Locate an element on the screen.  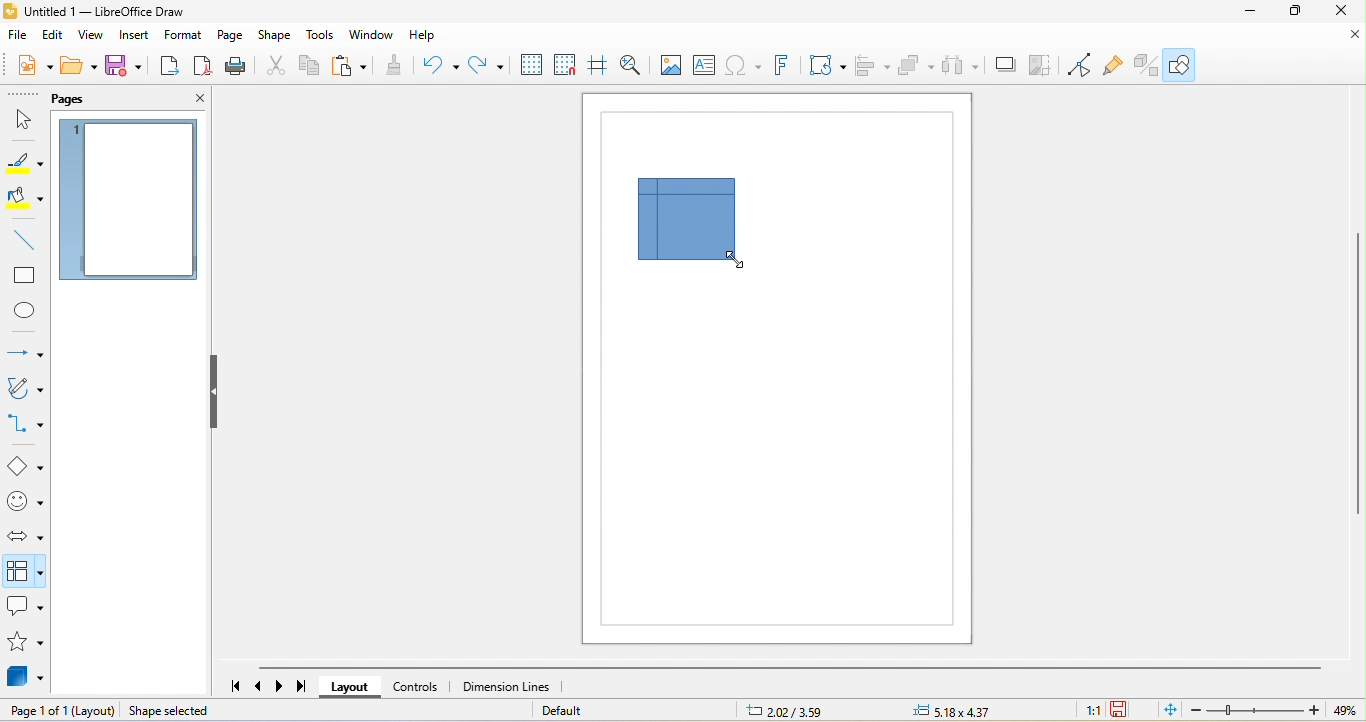
vertical scroll bar is located at coordinates (1357, 373).